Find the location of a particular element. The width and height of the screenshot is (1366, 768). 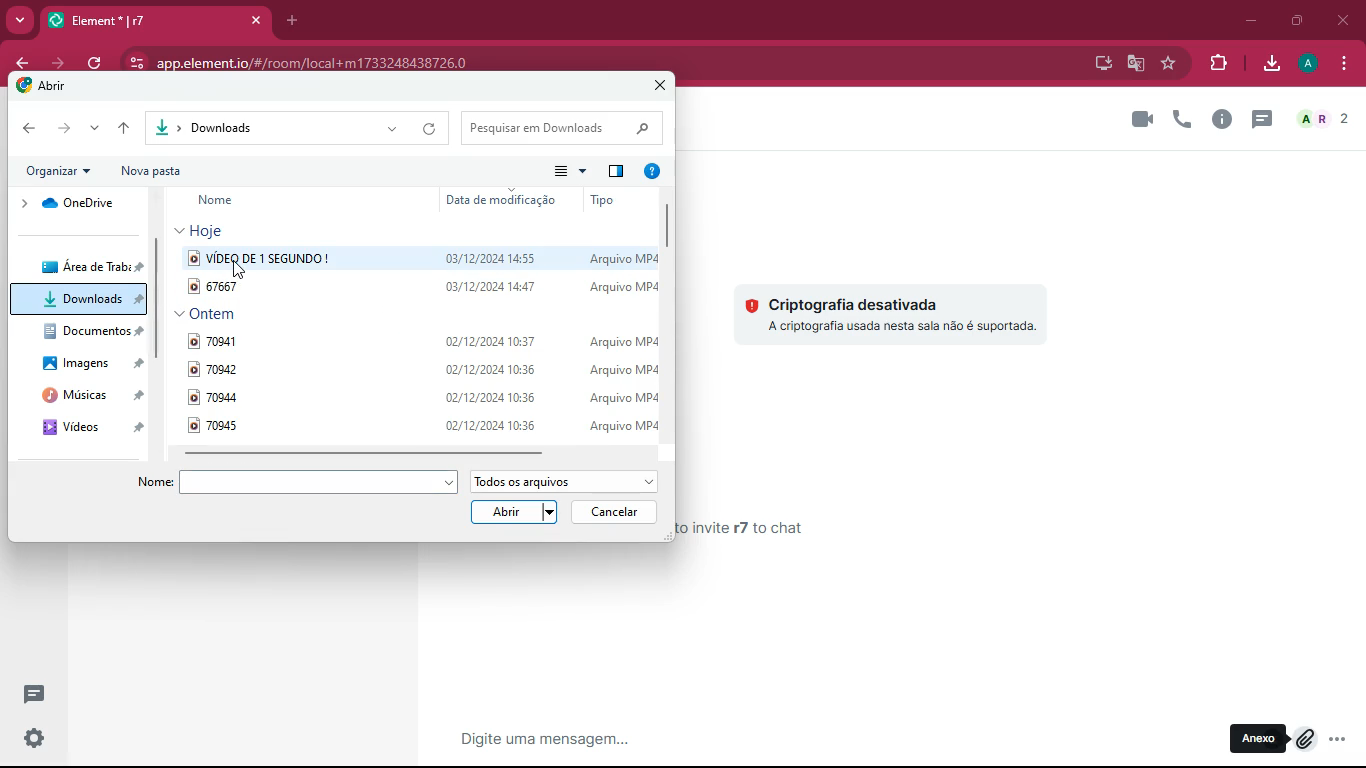

close is located at coordinates (661, 86).